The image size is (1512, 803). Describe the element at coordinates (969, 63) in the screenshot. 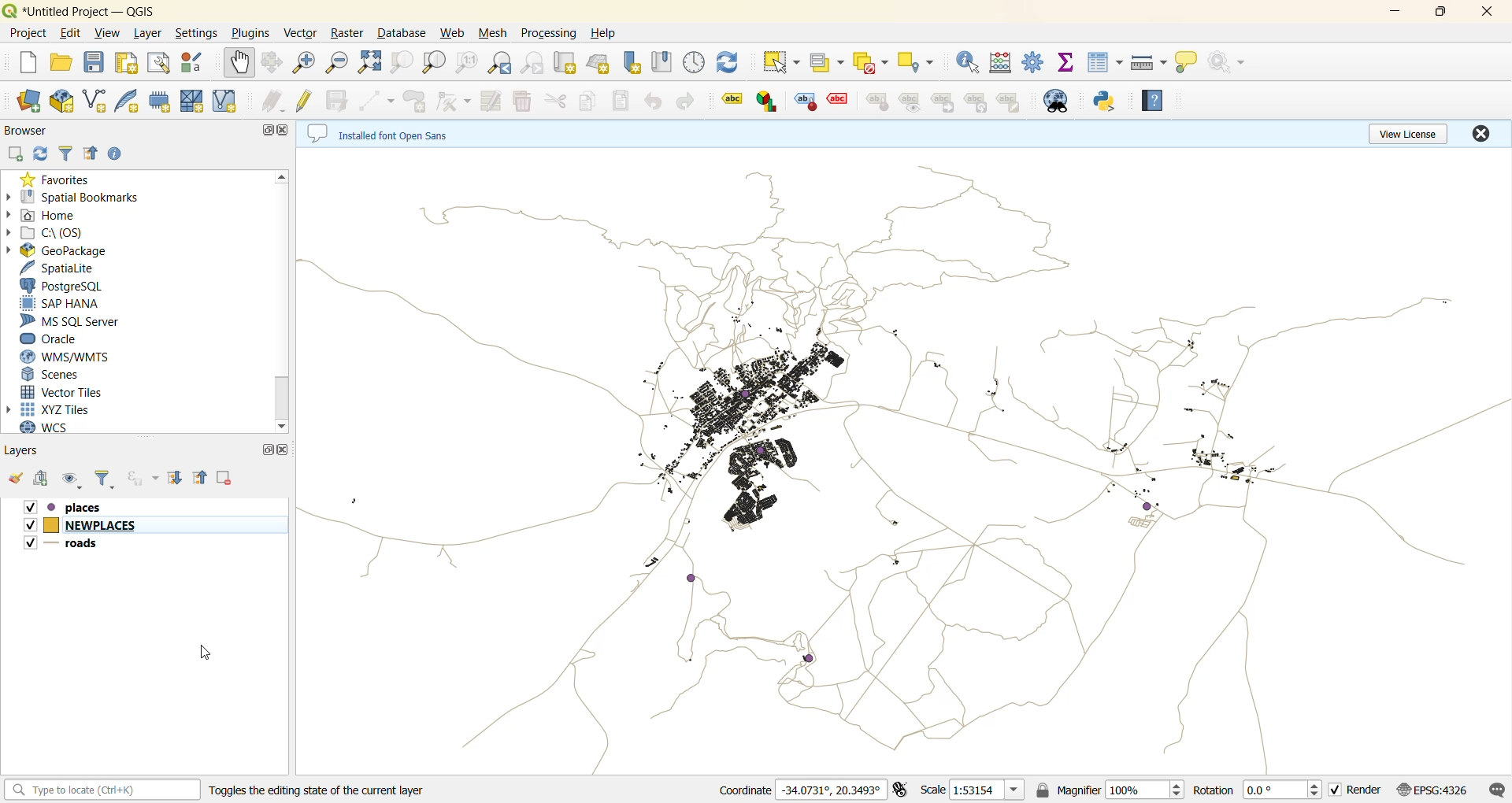

I see `identify features` at that location.